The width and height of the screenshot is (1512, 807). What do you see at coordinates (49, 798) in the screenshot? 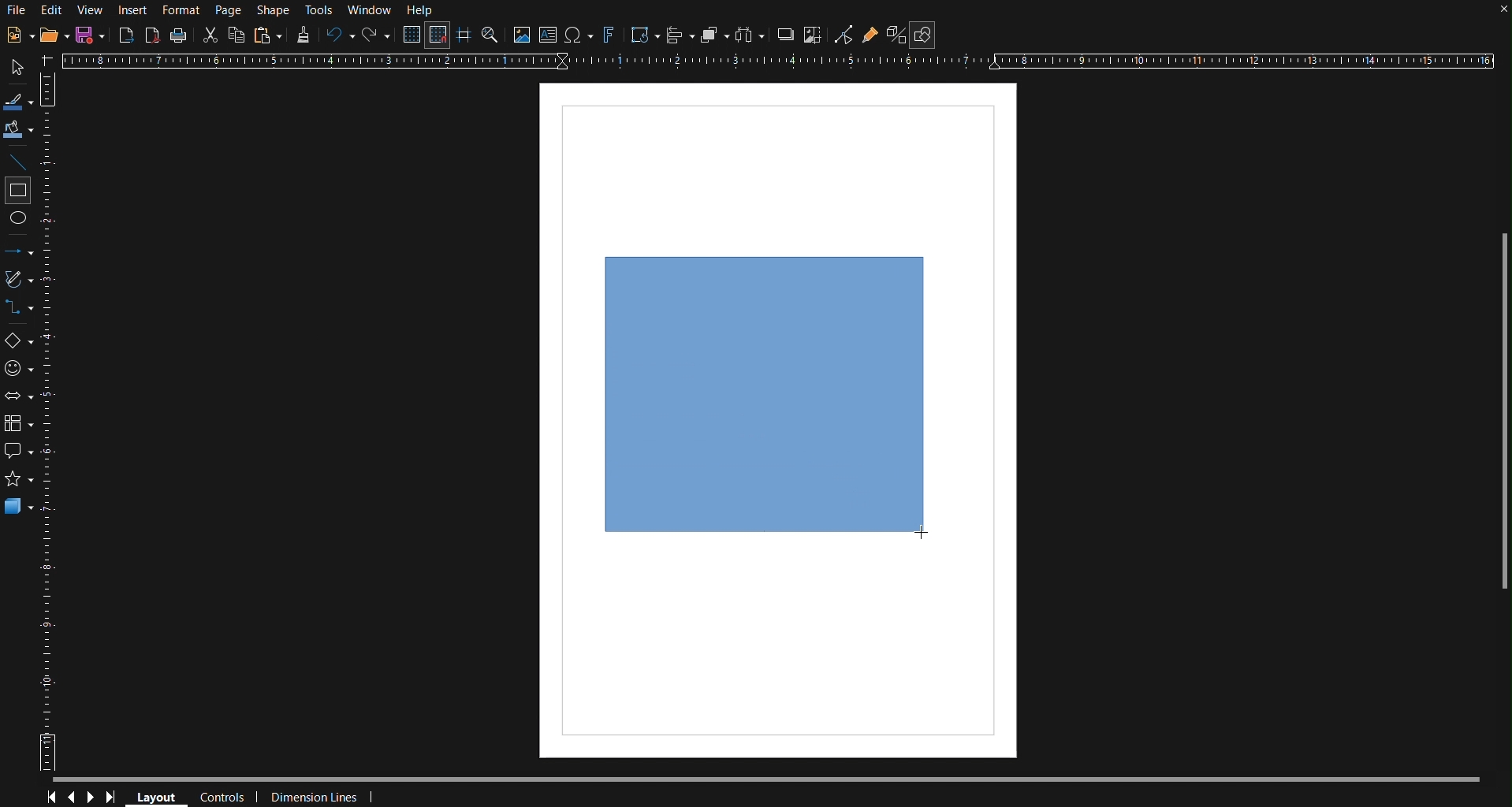
I see `First Page` at bounding box center [49, 798].